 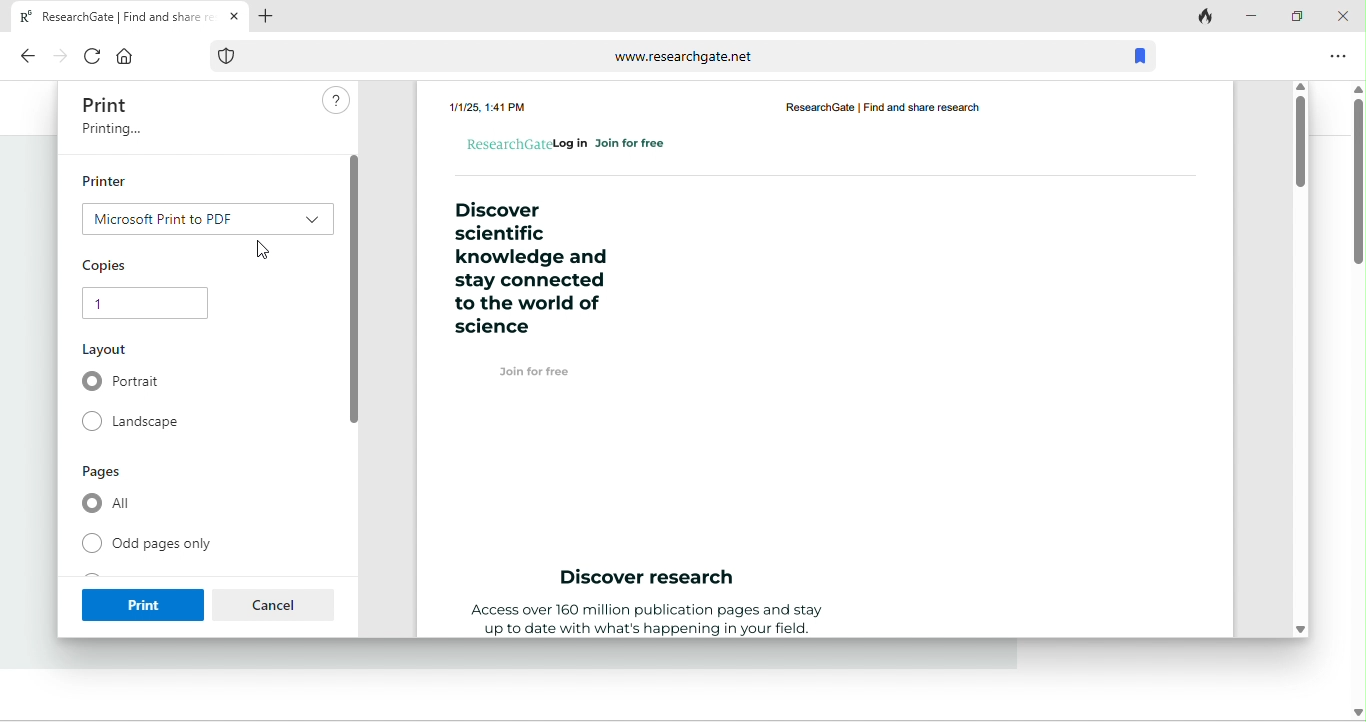 I want to click on odd pages only, so click(x=152, y=545).